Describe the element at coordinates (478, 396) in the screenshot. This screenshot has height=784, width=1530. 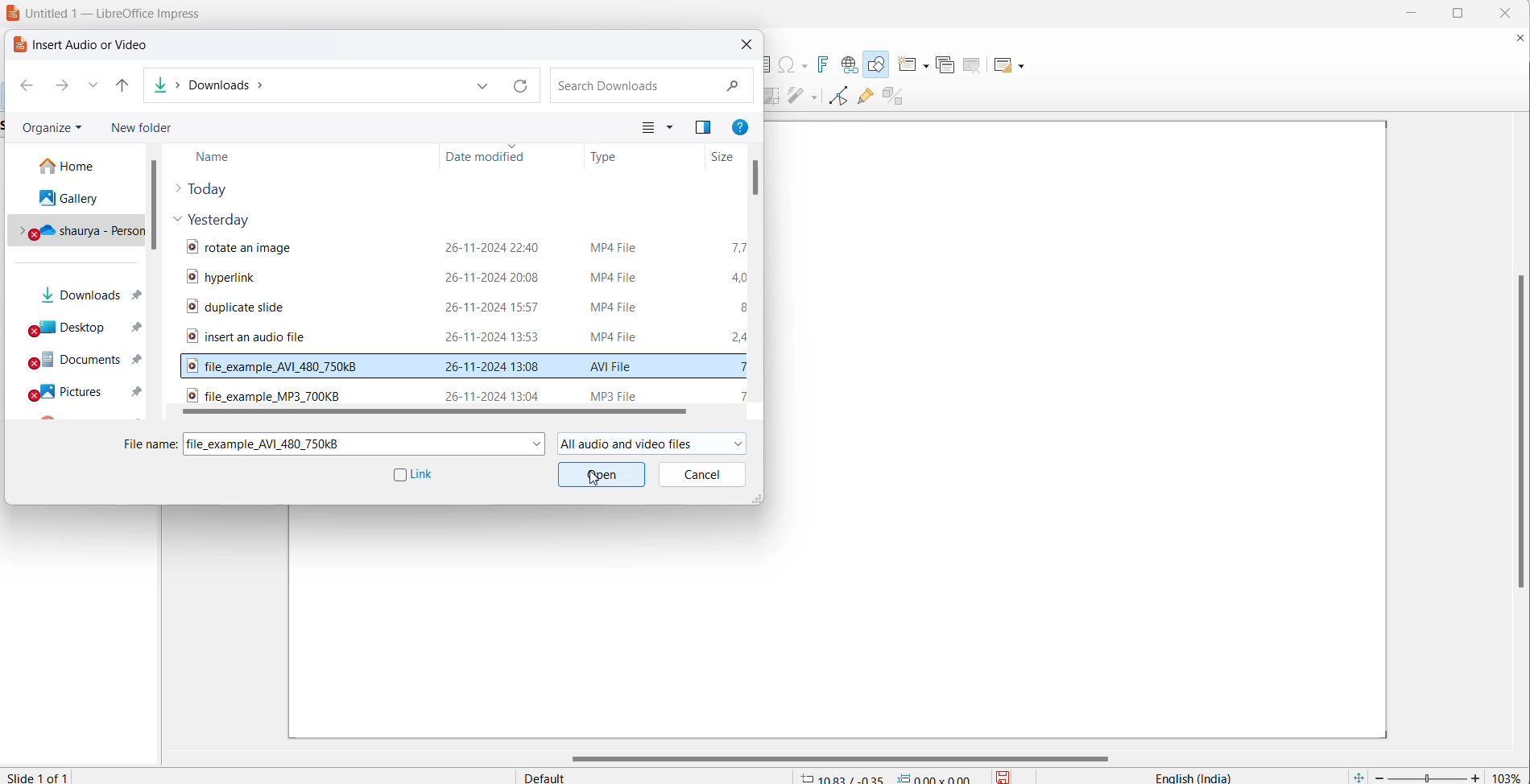
I see `hover text` at that location.